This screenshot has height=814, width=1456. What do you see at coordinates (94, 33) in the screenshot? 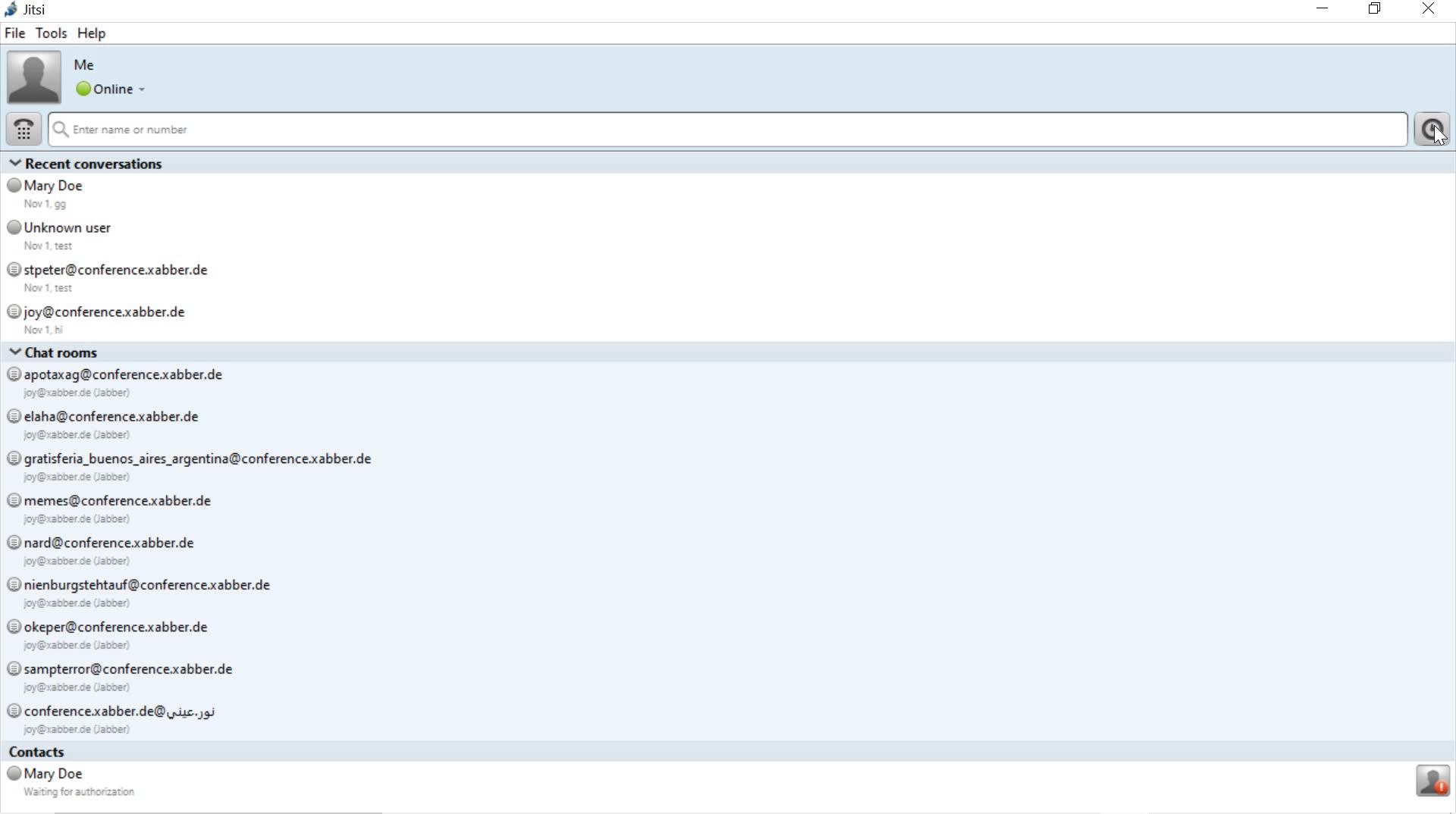
I see `help` at bounding box center [94, 33].